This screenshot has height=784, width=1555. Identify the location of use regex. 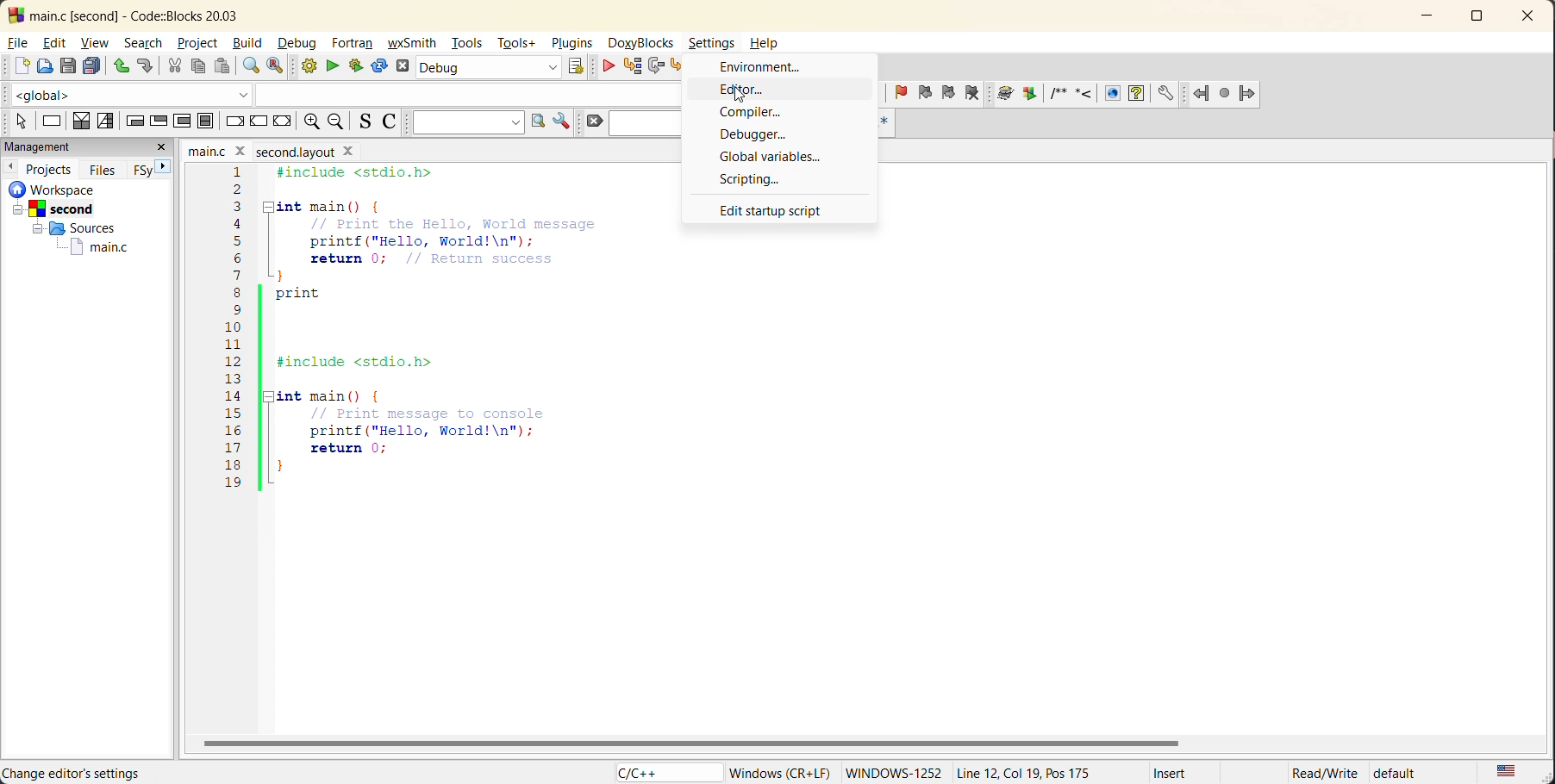
(885, 121).